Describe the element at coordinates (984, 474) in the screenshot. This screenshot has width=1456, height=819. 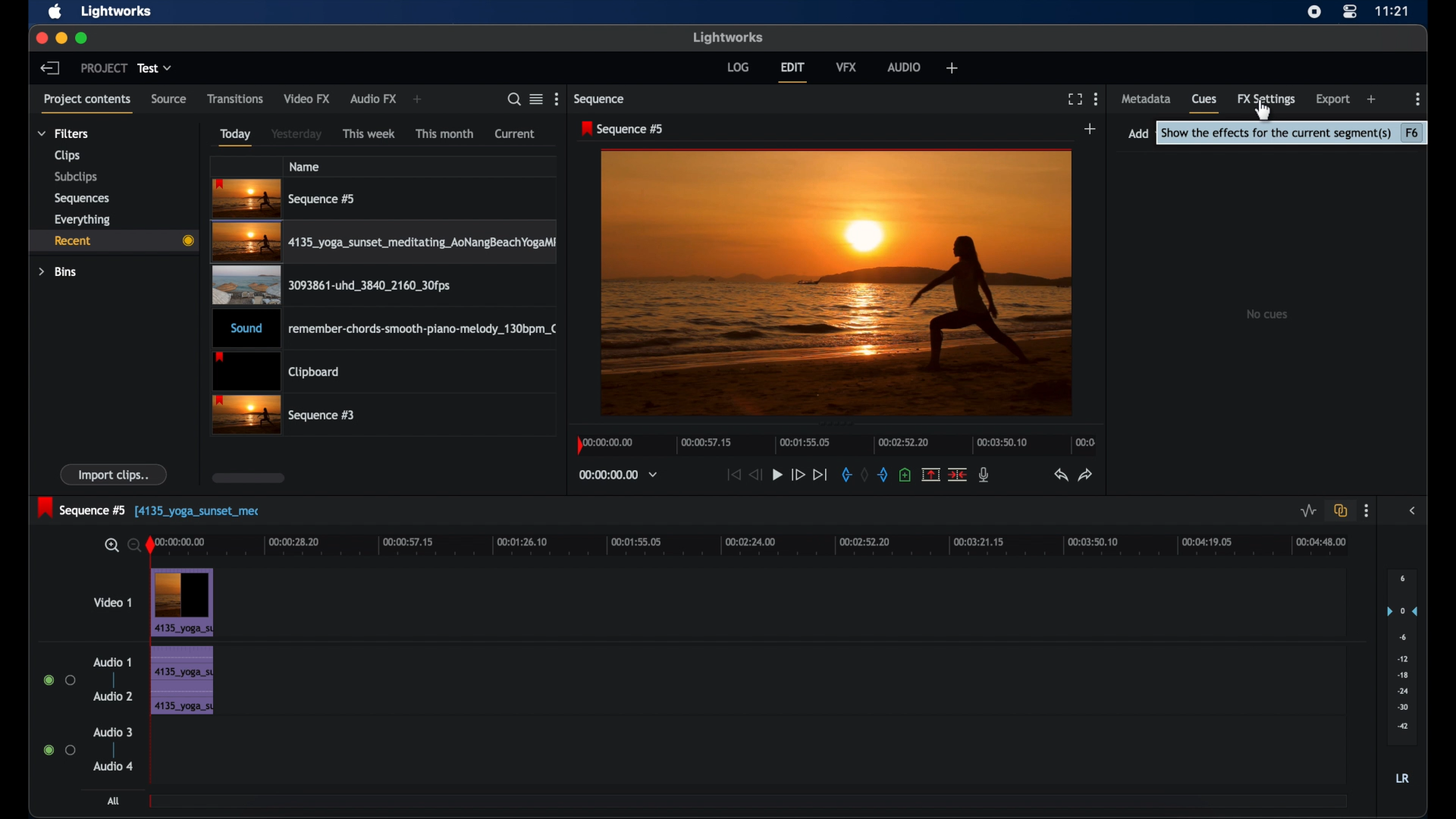
I see `mic` at that location.